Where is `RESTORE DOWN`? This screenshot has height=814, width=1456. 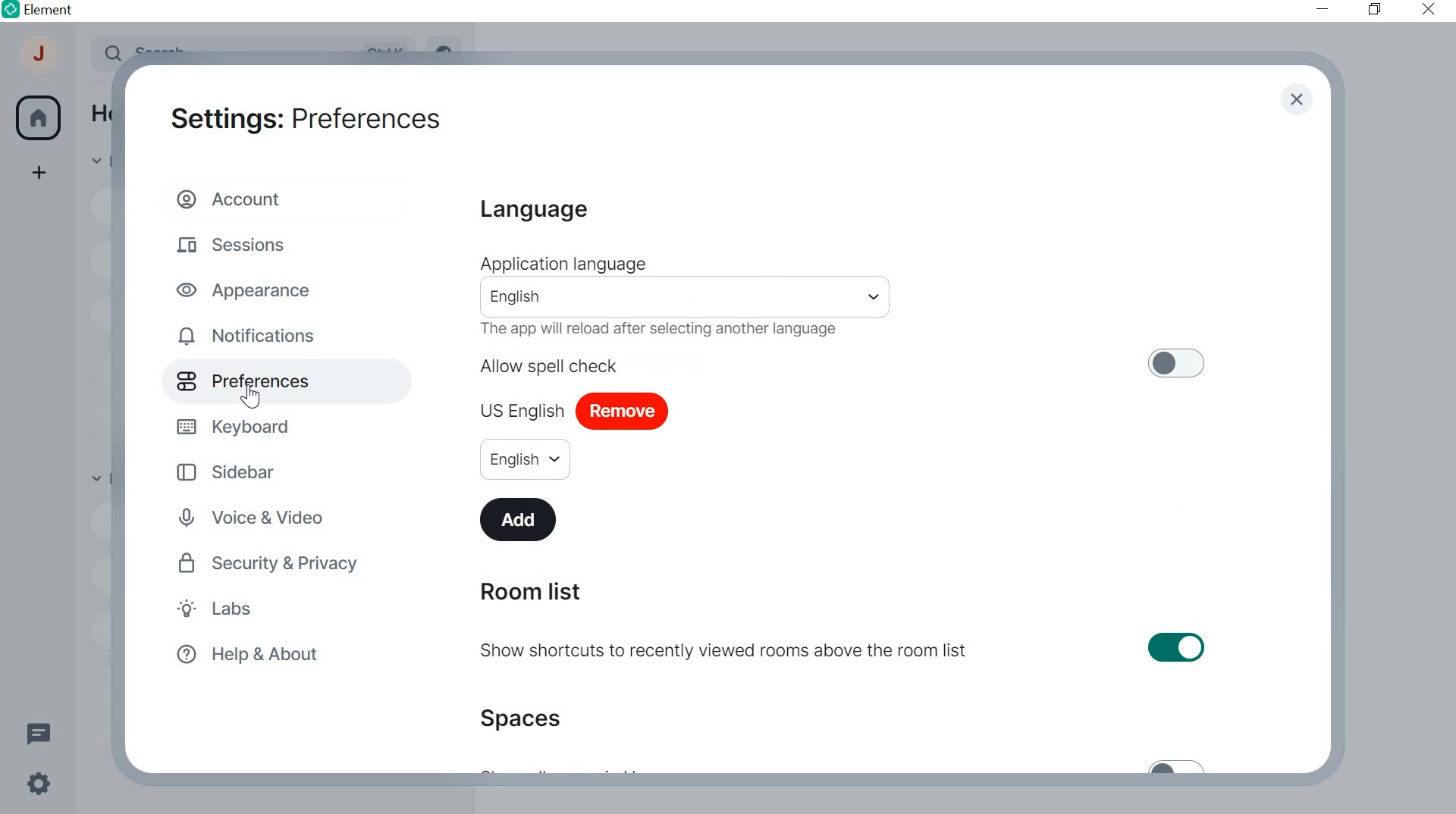
RESTORE DOWN is located at coordinates (1374, 10).